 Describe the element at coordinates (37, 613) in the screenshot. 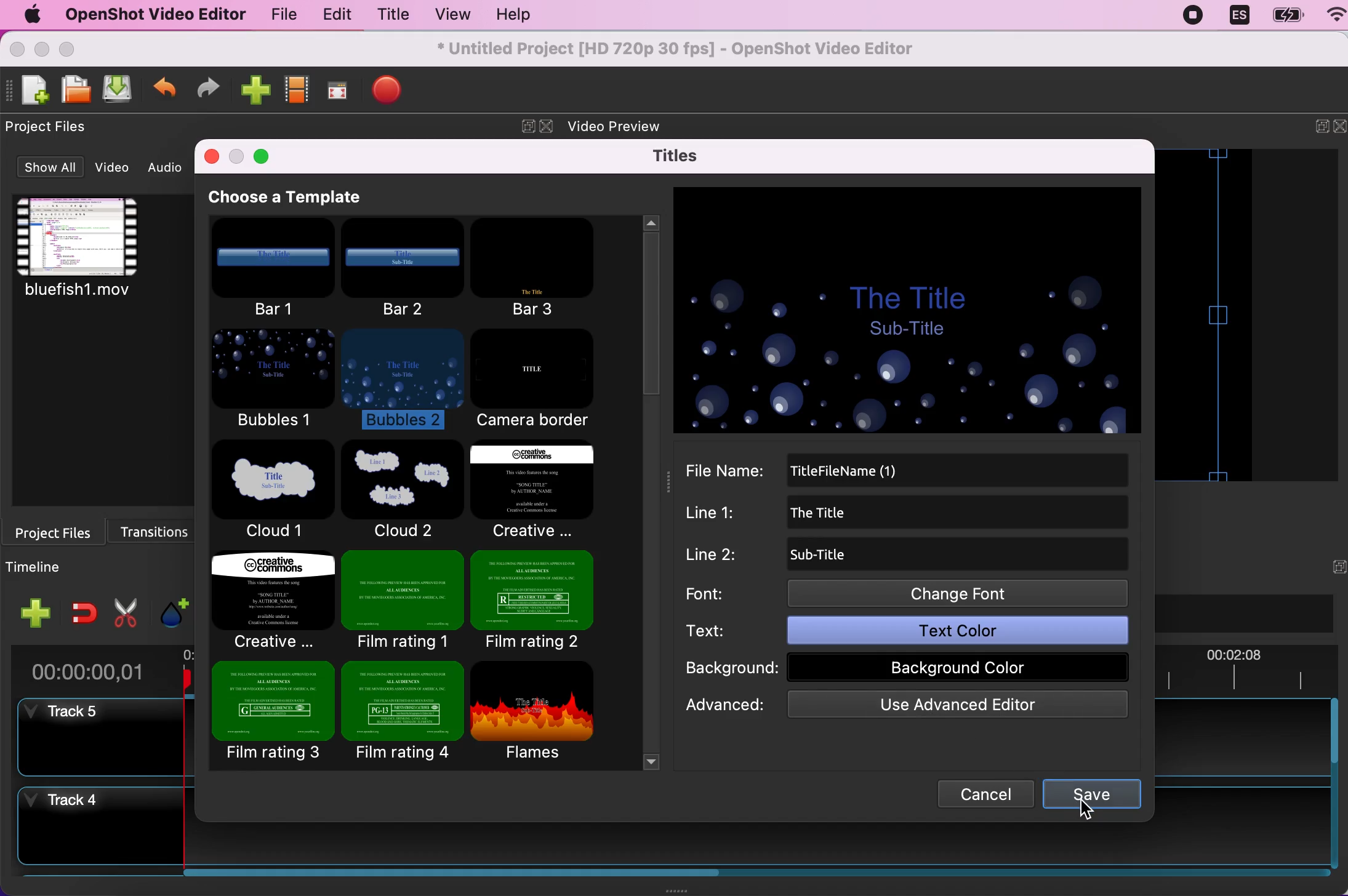

I see `add track` at that location.